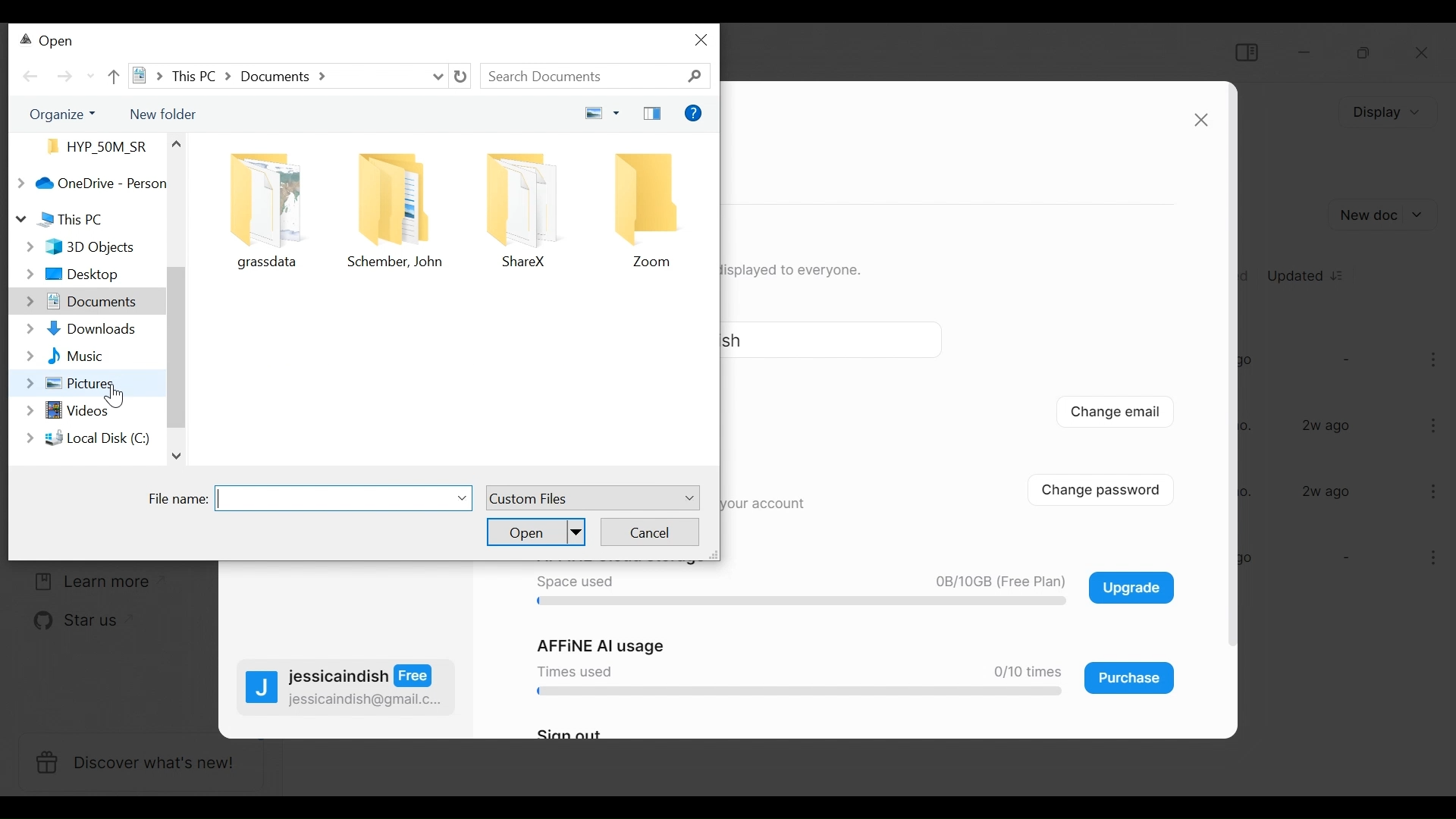 This screenshot has height=819, width=1456. What do you see at coordinates (1131, 587) in the screenshot?
I see `Upgrade` at bounding box center [1131, 587].